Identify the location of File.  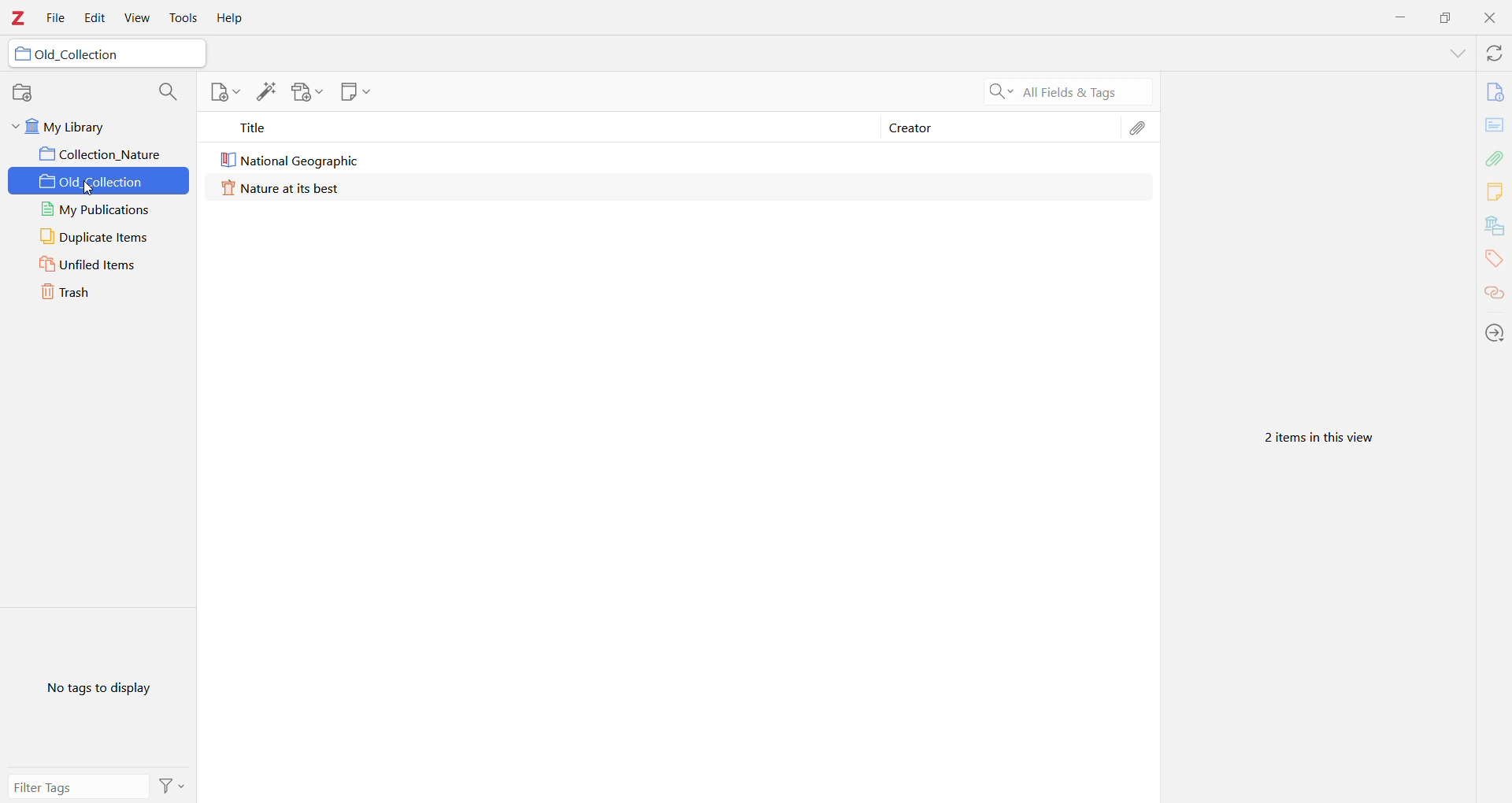
(56, 20).